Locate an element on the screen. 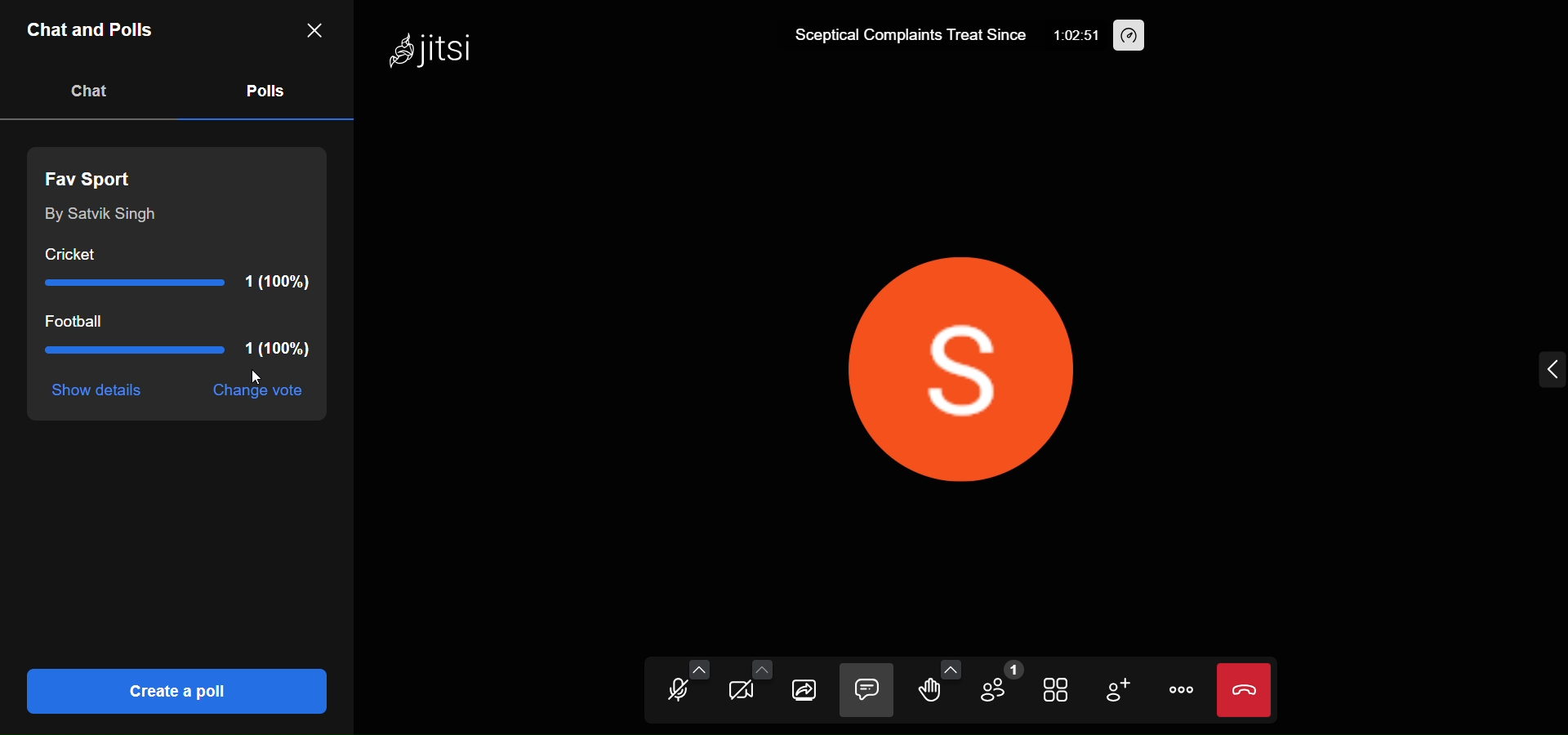  Football is located at coordinates (176, 339).